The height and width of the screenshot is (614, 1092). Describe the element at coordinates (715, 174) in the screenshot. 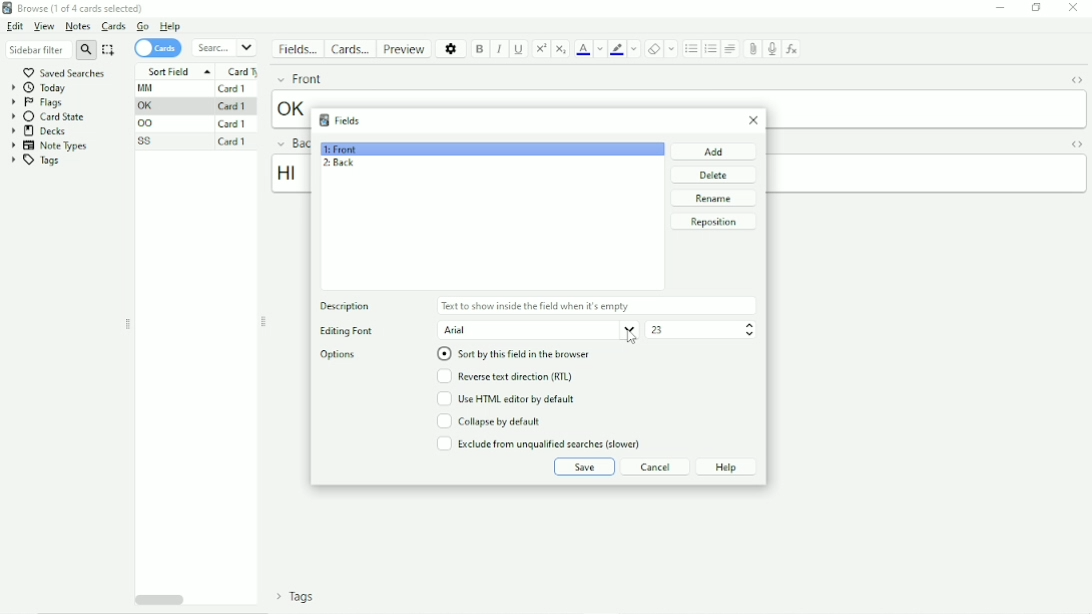

I see `Delete` at that location.